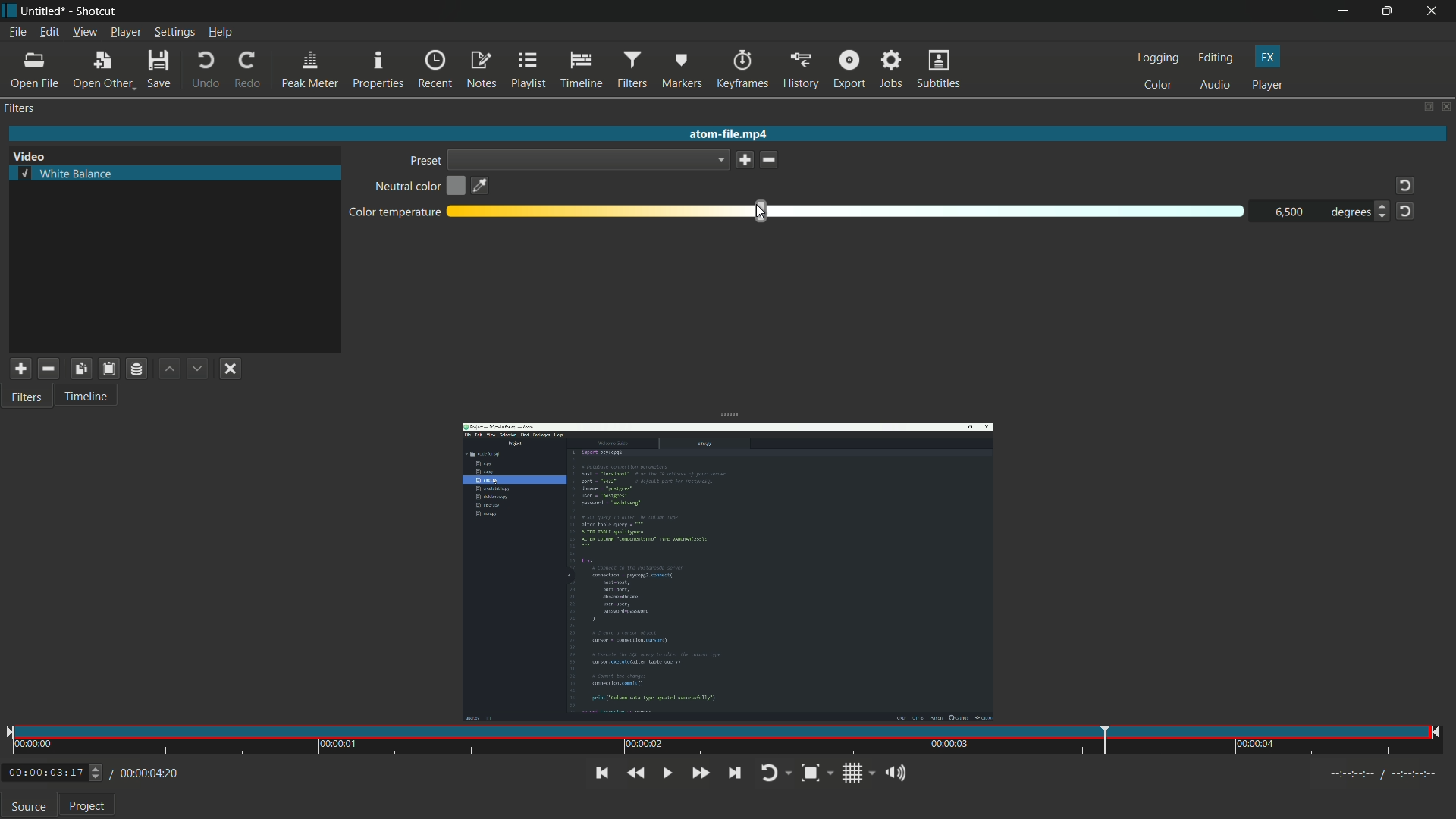 The image size is (1456, 819). What do you see at coordinates (174, 32) in the screenshot?
I see `settings menu` at bounding box center [174, 32].